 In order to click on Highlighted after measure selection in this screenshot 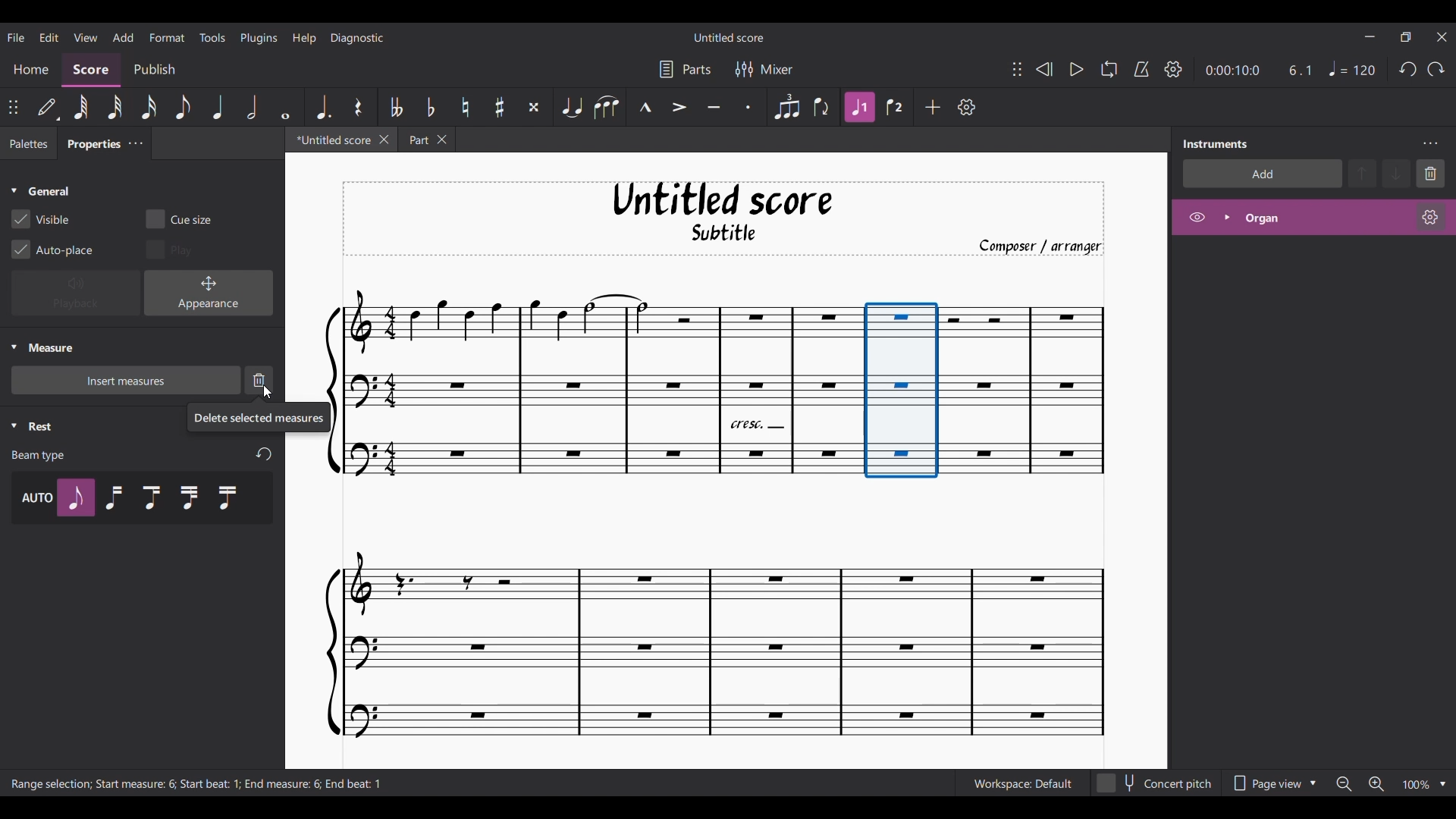, I will do `click(1313, 218)`.